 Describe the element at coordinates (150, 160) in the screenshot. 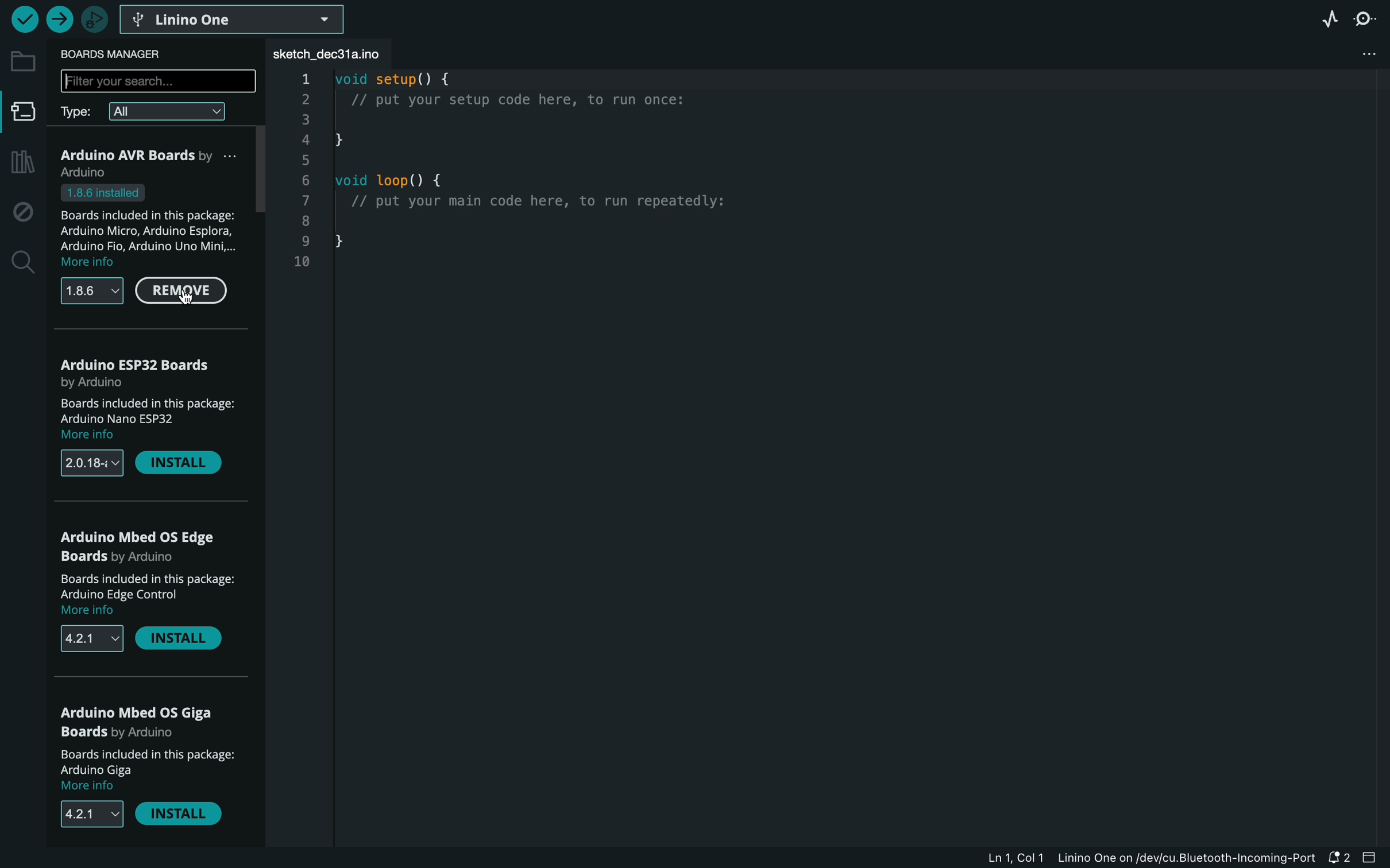

I see `AVR Boards` at that location.